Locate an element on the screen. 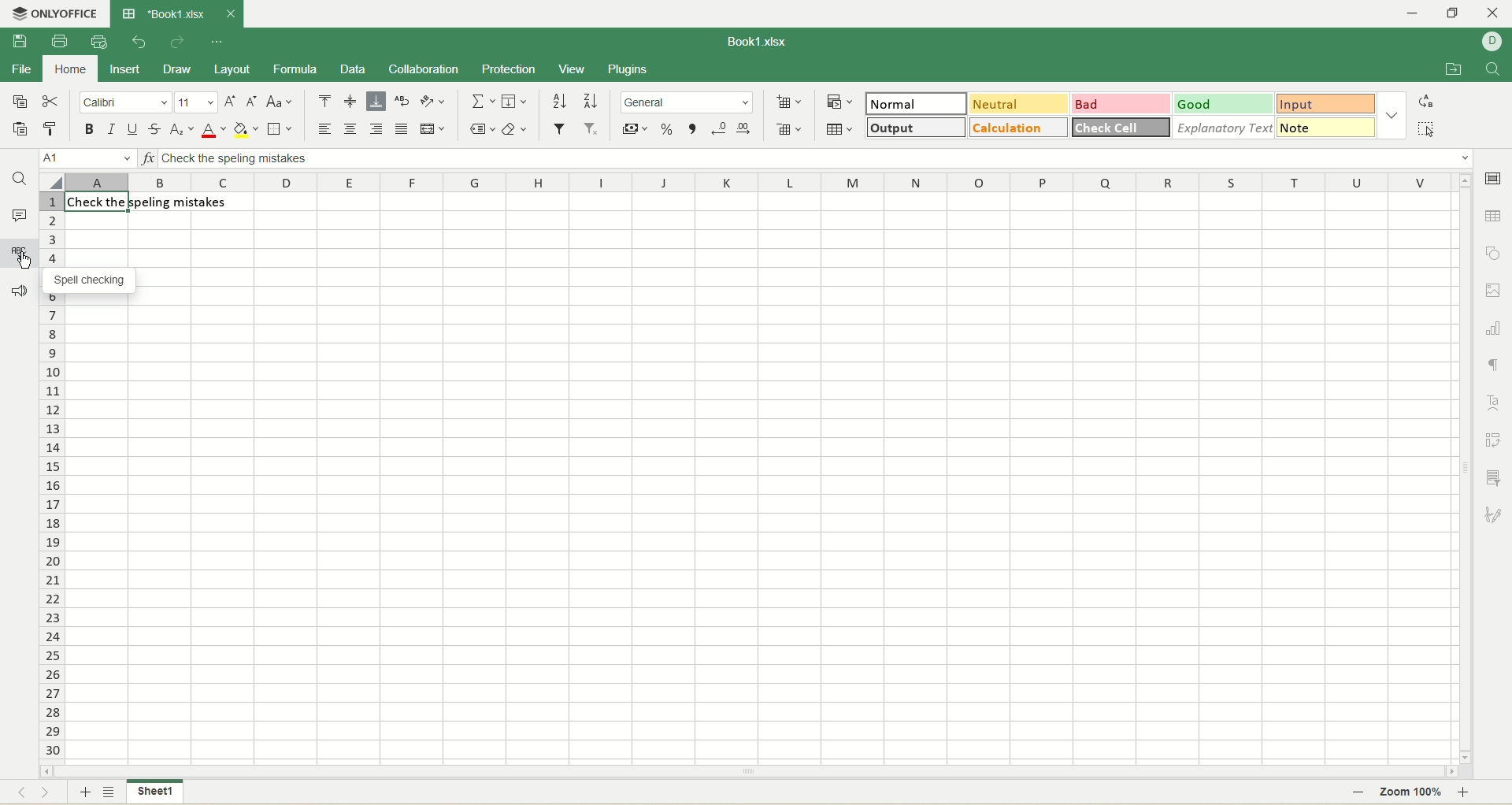 The image size is (1512, 805). sort ascending is located at coordinates (560, 101).